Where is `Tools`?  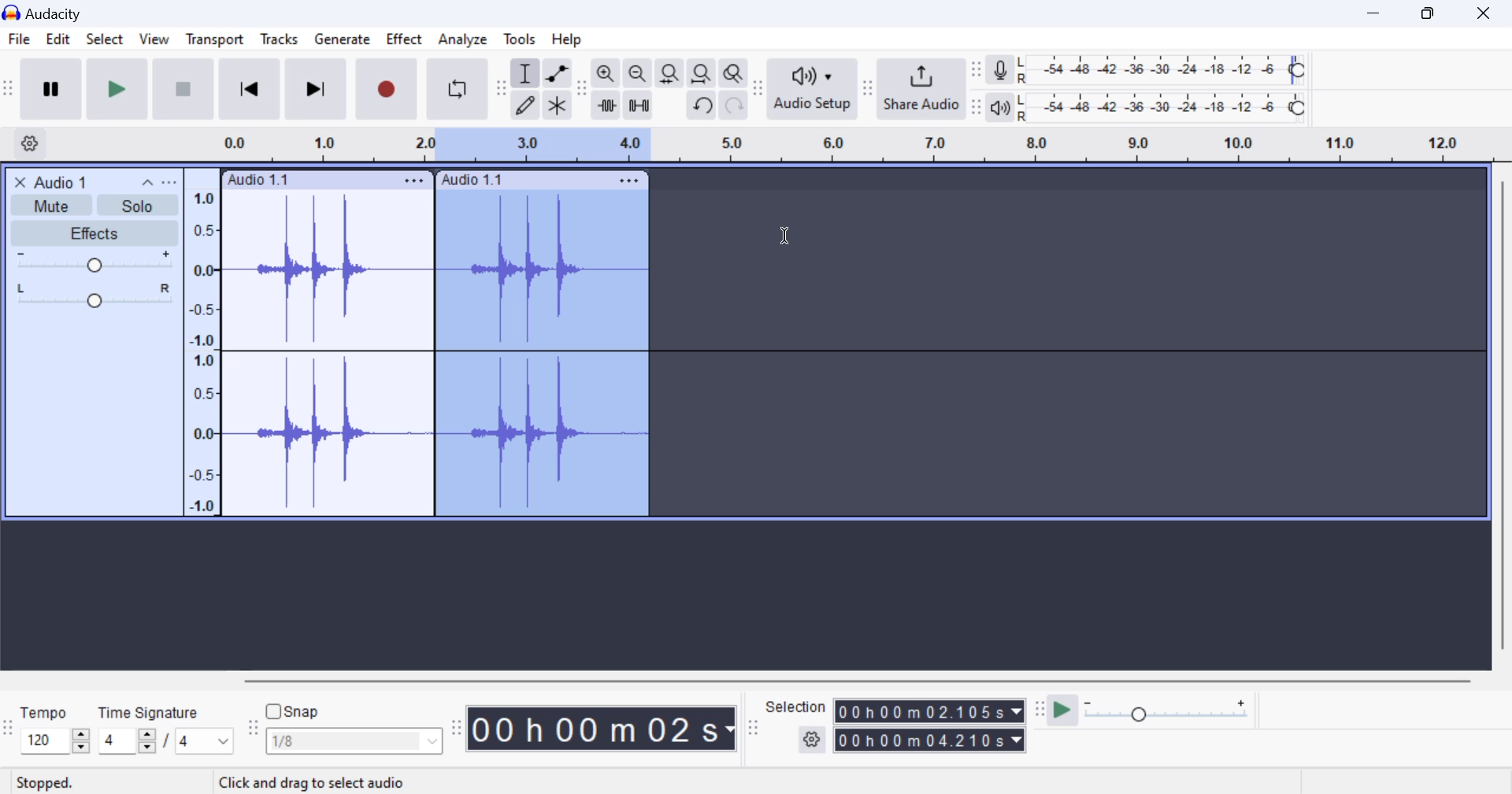
Tools is located at coordinates (521, 38).